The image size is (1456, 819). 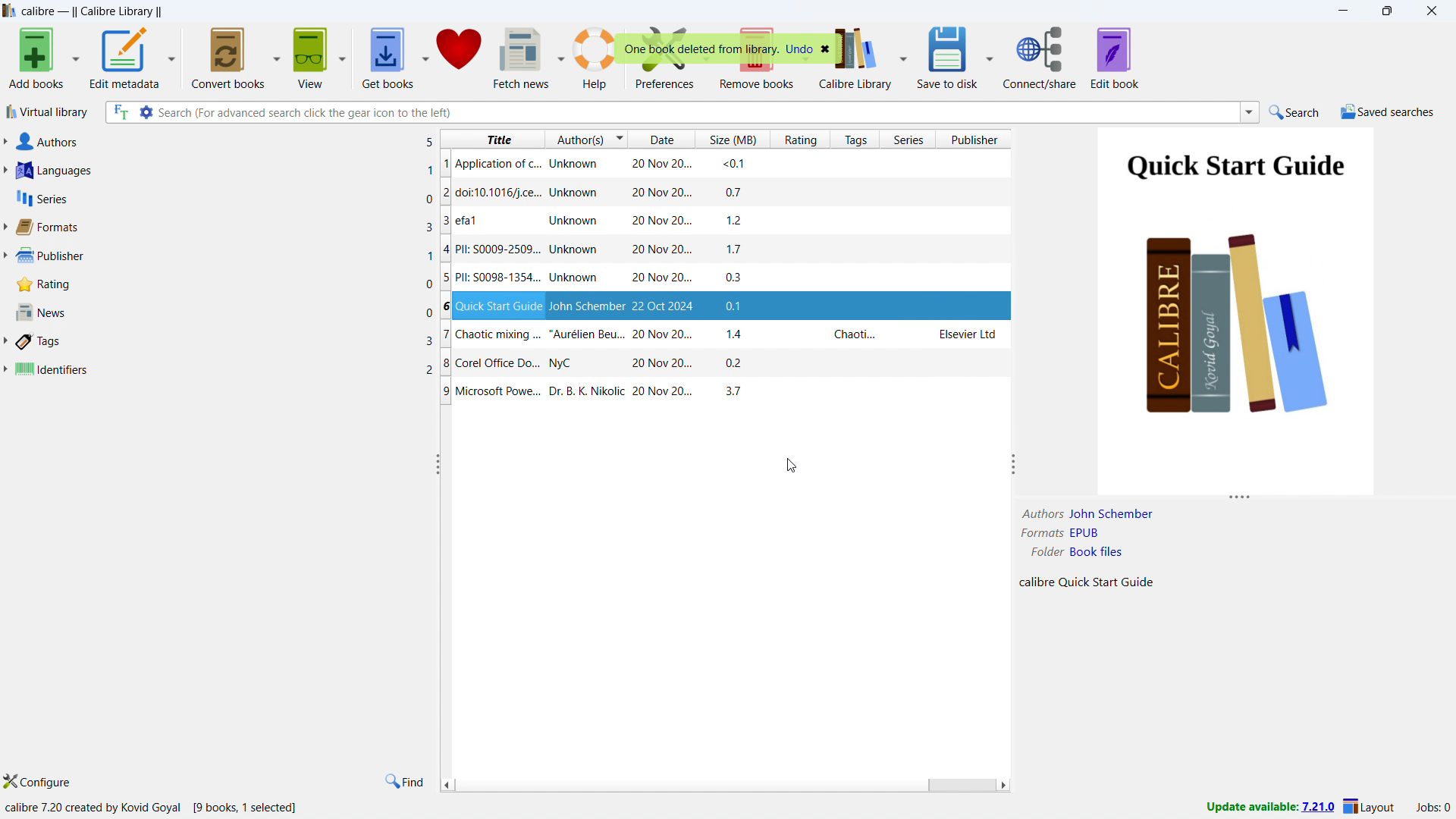 What do you see at coordinates (312, 56) in the screenshot?
I see `view` at bounding box center [312, 56].